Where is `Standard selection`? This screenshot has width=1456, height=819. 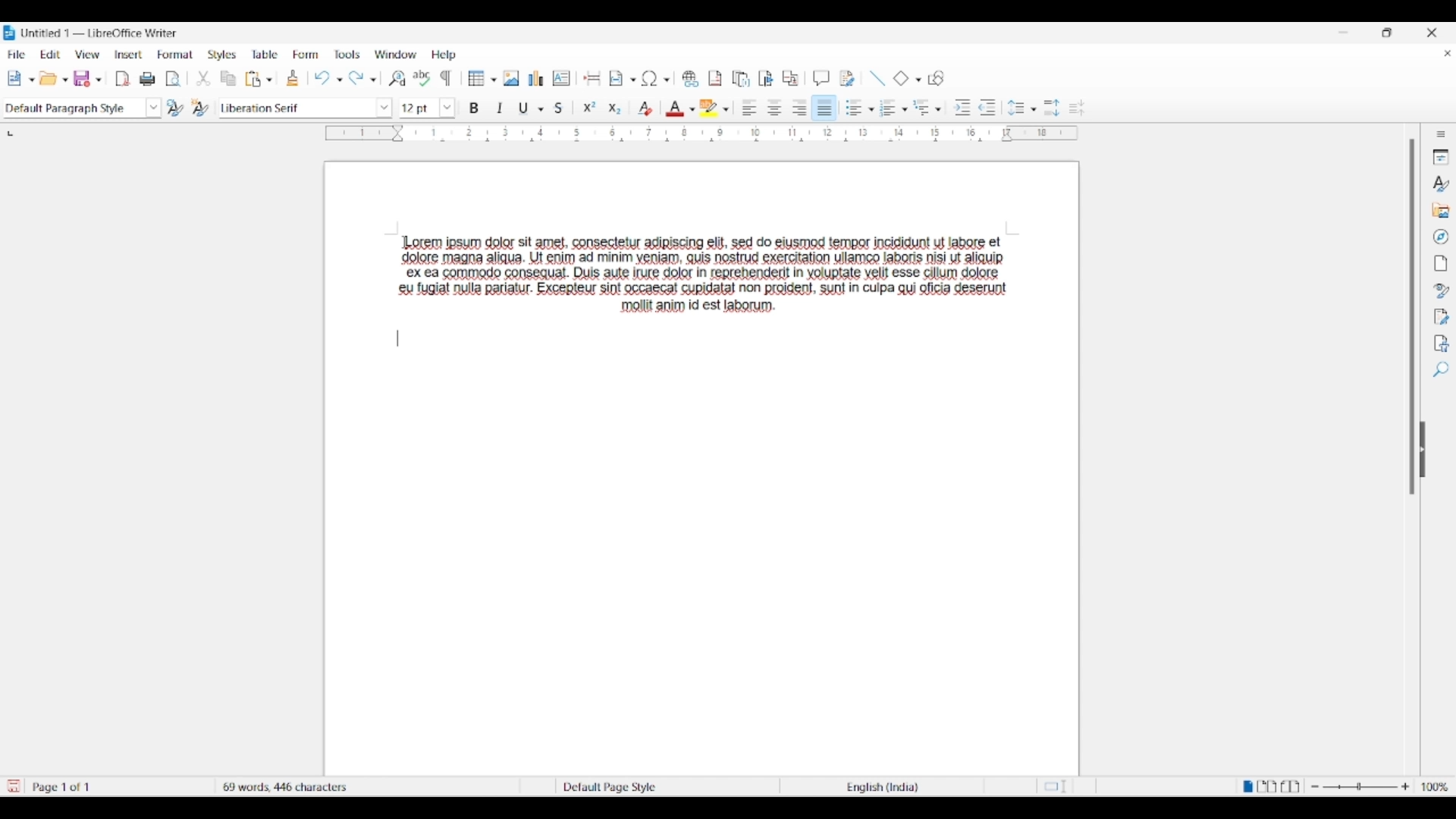 Standard selection is located at coordinates (1059, 787).